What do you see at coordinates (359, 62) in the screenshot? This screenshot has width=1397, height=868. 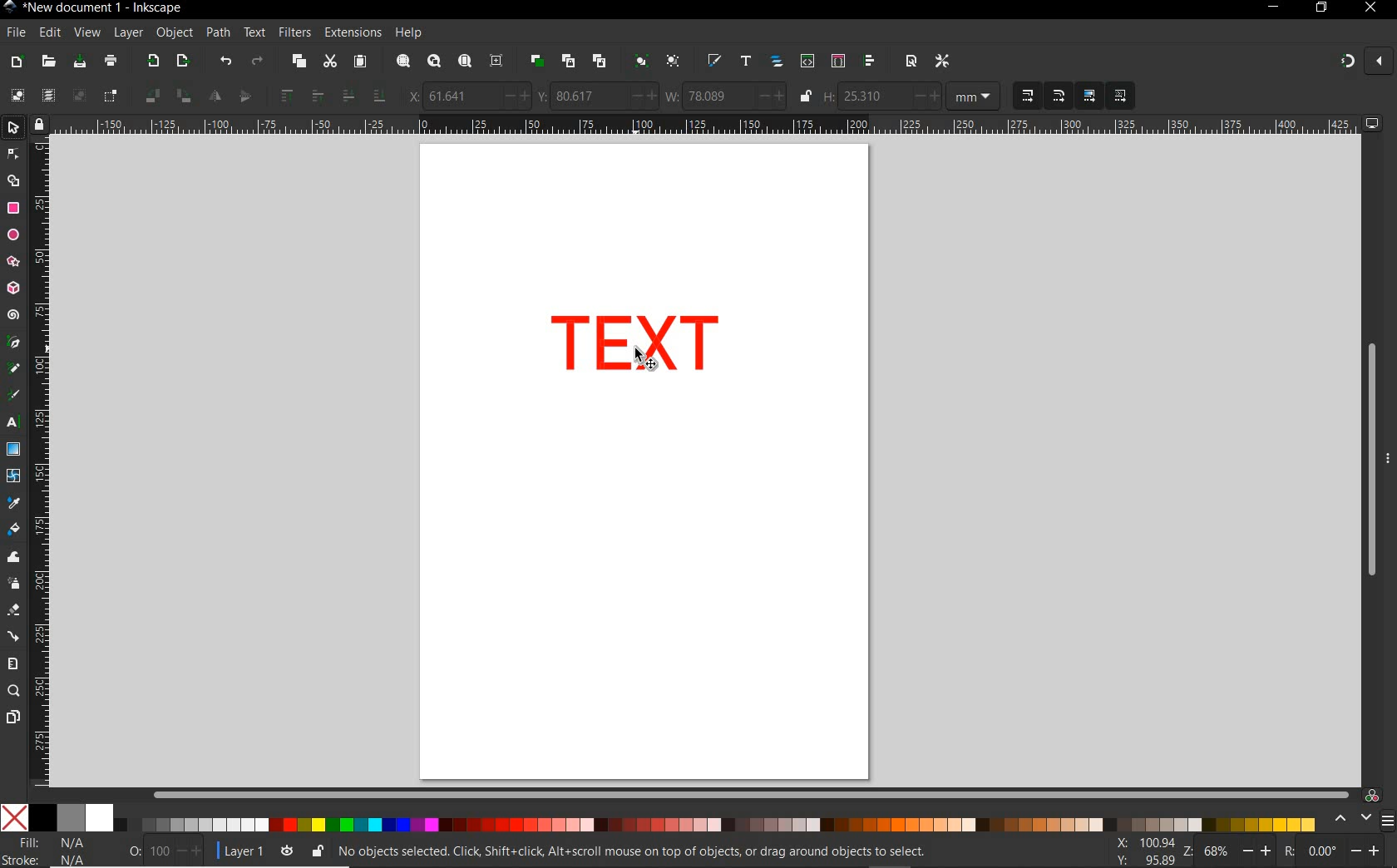 I see `paste` at bounding box center [359, 62].